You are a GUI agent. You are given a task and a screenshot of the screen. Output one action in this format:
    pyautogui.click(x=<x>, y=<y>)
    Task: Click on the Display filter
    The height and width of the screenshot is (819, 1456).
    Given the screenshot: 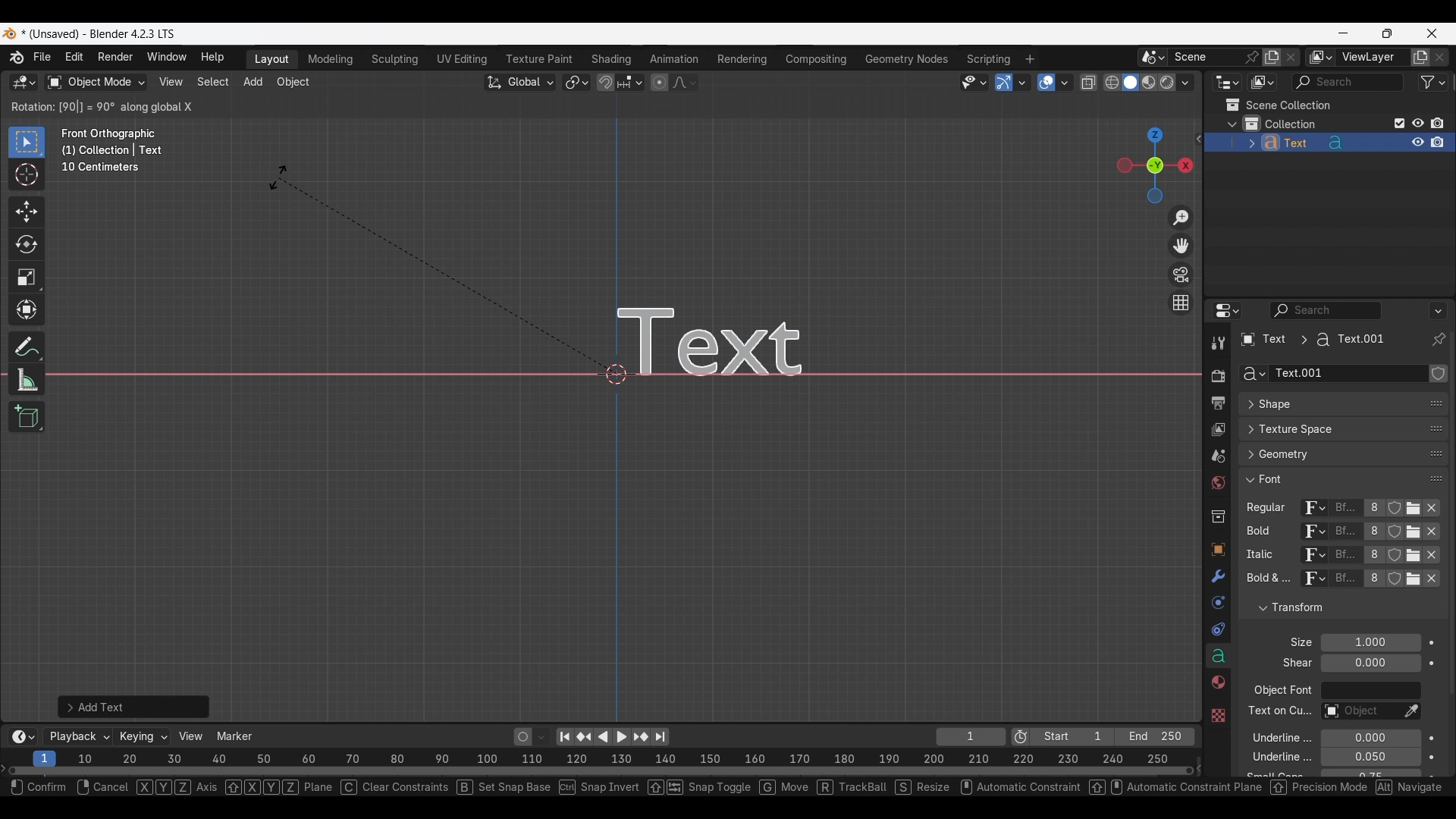 What is the action you would take?
    pyautogui.click(x=1348, y=82)
    